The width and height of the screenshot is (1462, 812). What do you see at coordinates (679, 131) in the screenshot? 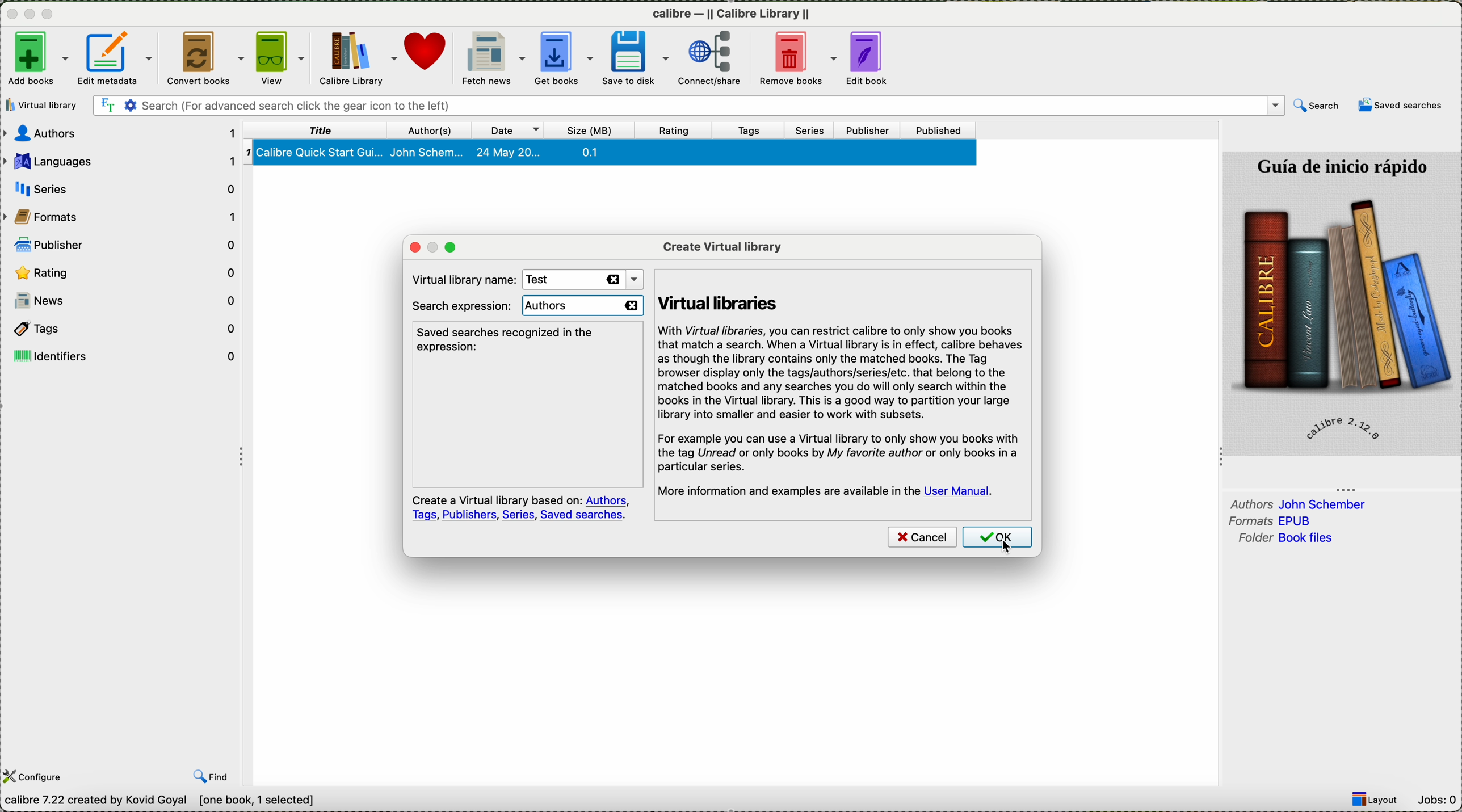
I see `rating` at bounding box center [679, 131].